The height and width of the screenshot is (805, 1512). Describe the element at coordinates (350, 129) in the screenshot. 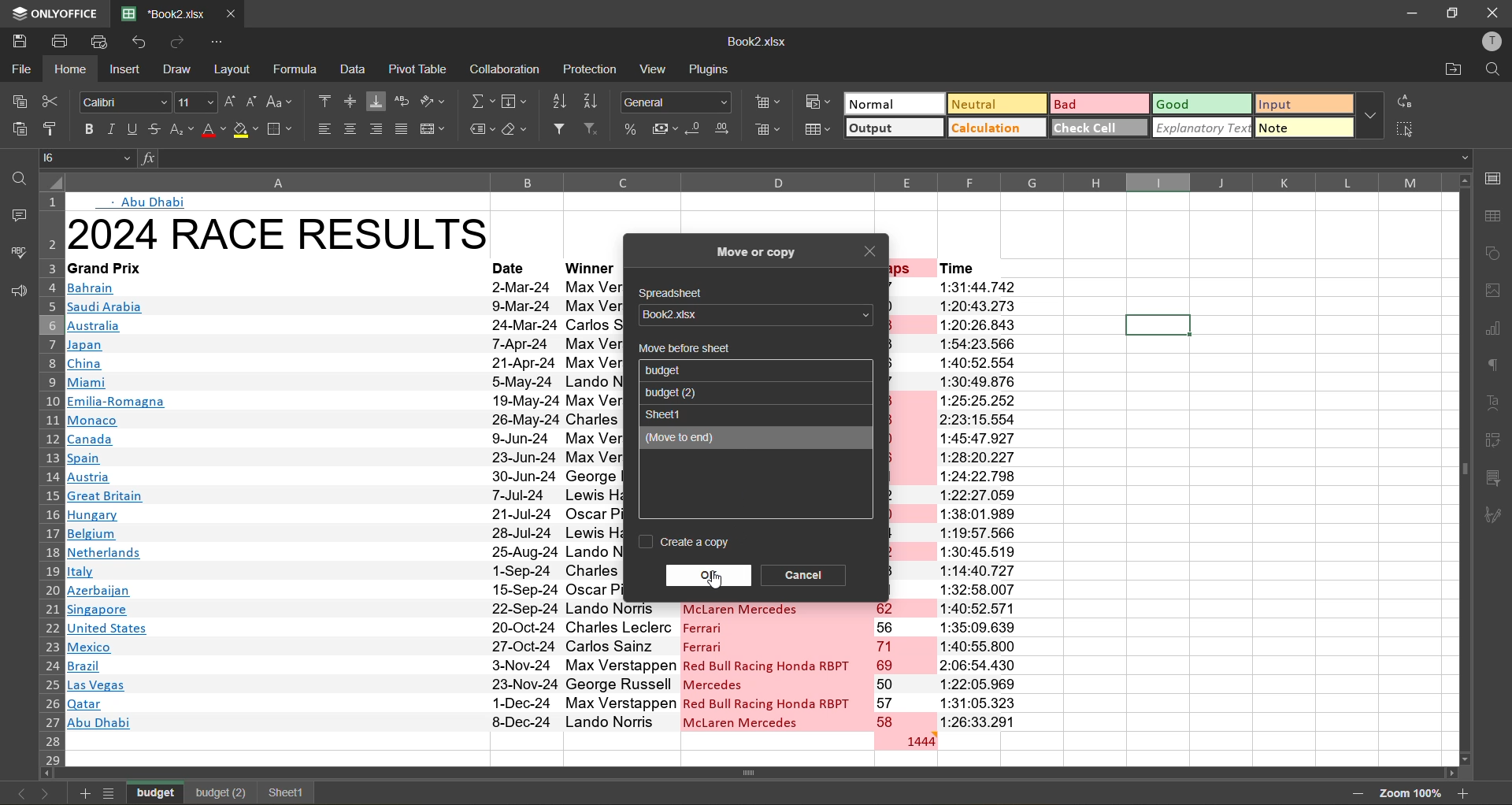

I see `align center` at that location.